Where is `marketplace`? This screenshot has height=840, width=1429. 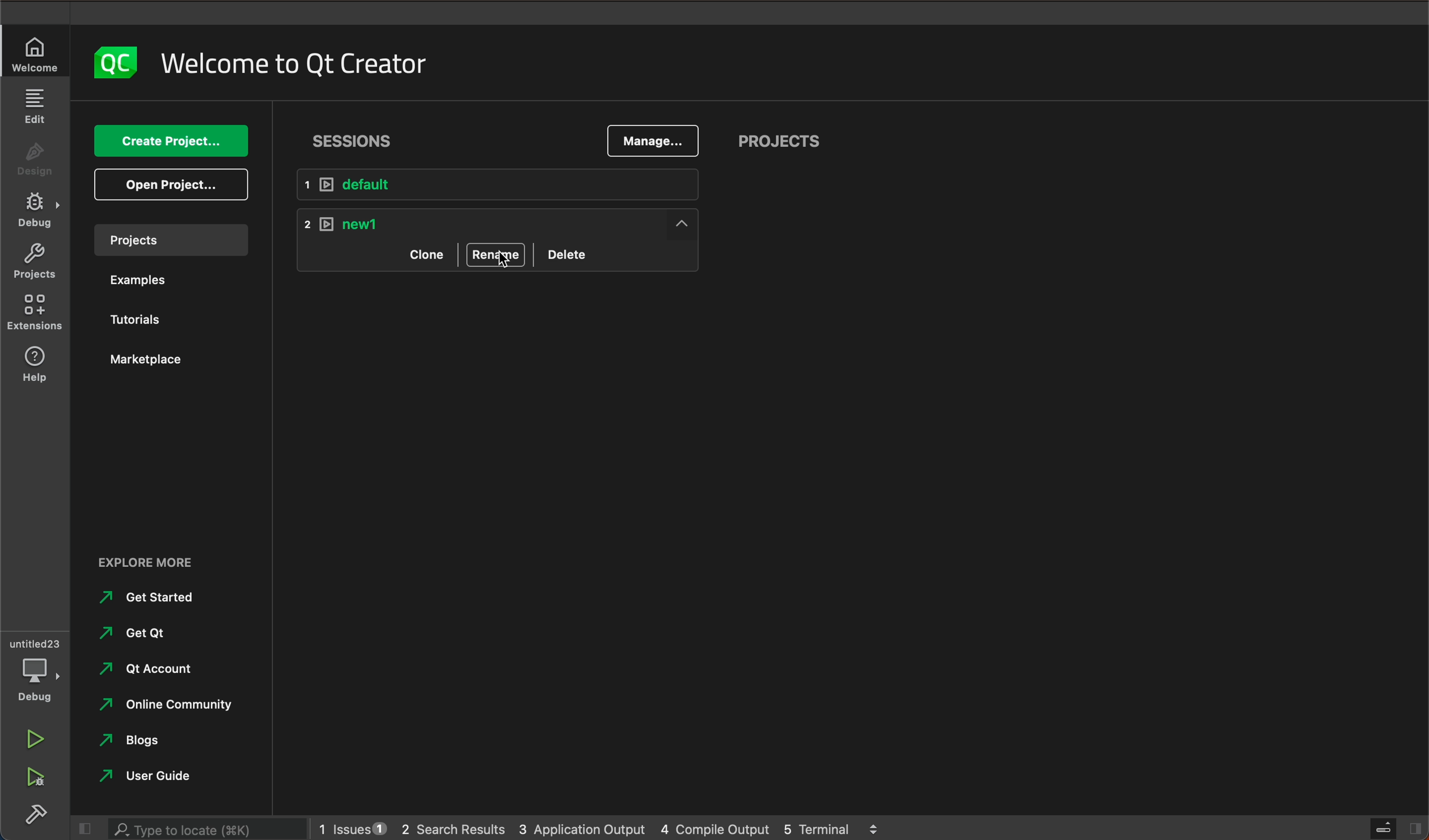
marketplace is located at coordinates (152, 360).